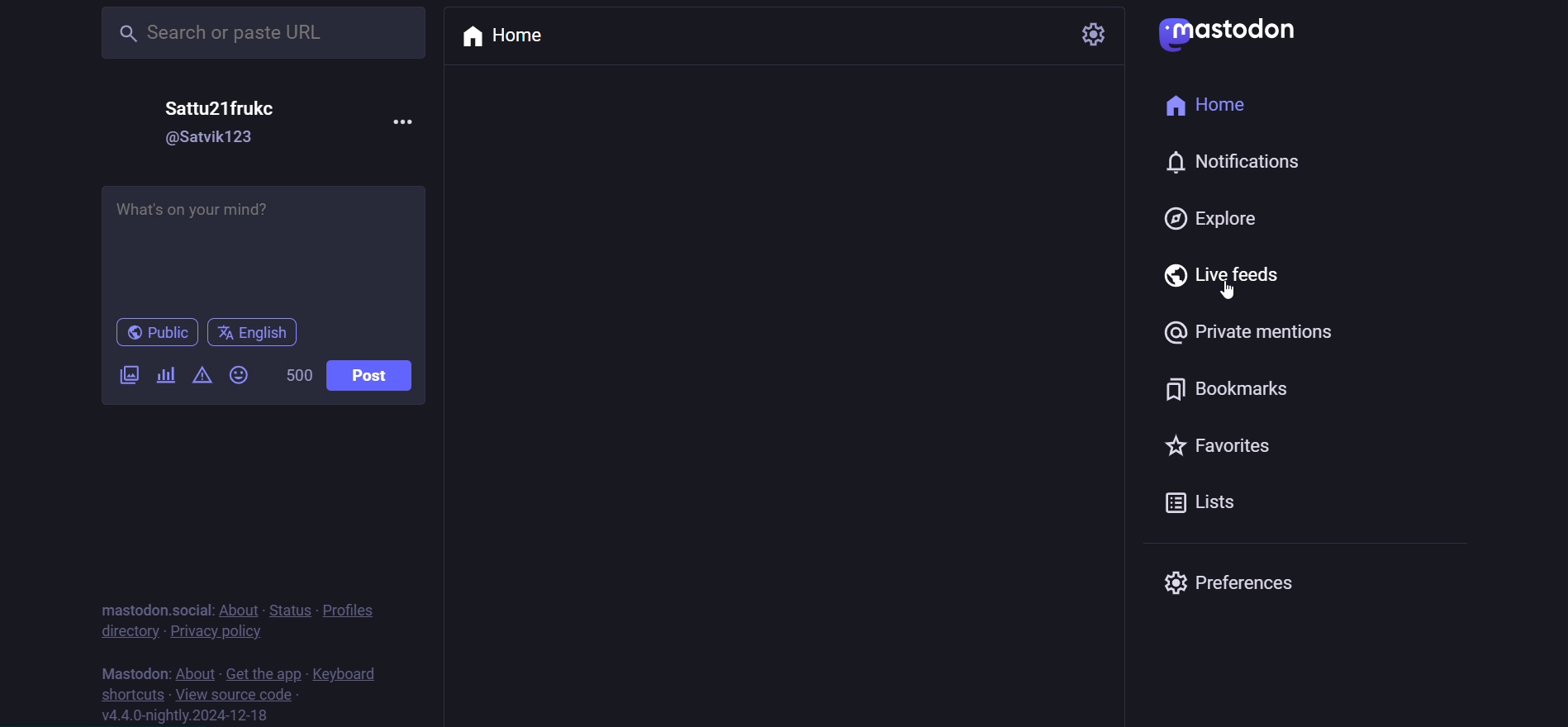 The height and width of the screenshot is (727, 1568). I want to click on status, so click(290, 610).